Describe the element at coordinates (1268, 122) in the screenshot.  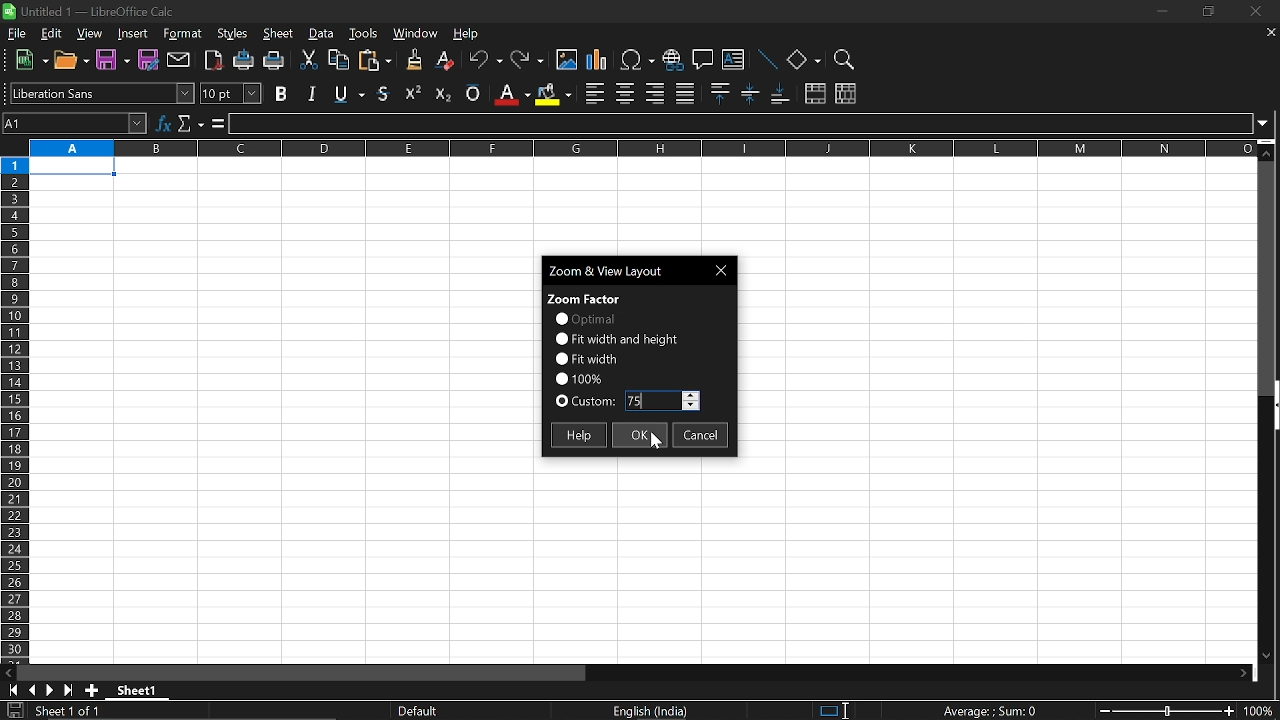
I see `expand formula bar` at that location.